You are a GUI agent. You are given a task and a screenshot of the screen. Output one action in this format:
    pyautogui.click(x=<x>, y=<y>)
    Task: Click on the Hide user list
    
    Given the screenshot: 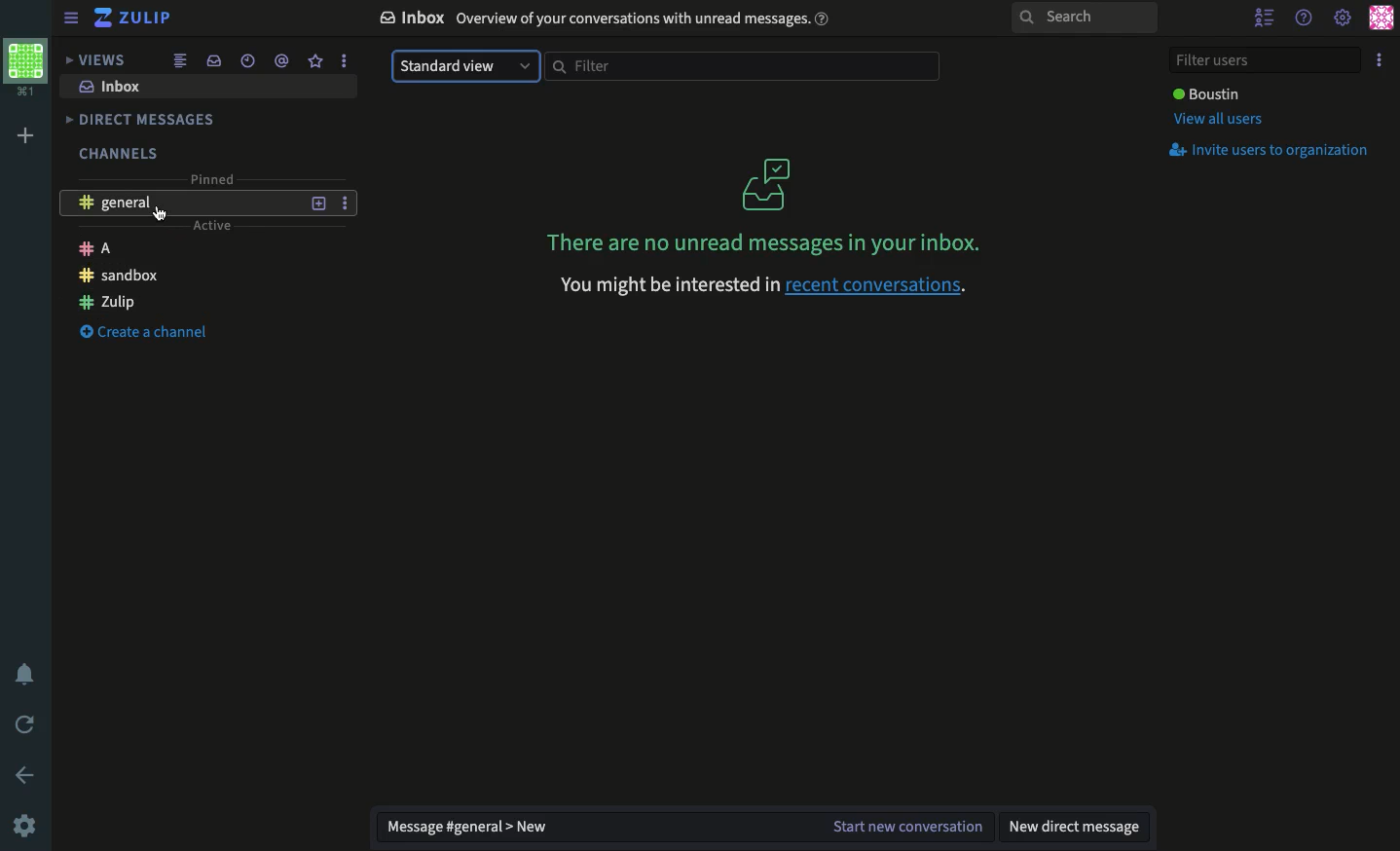 What is the action you would take?
    pyautogui.click(x=1264, y=18)
    